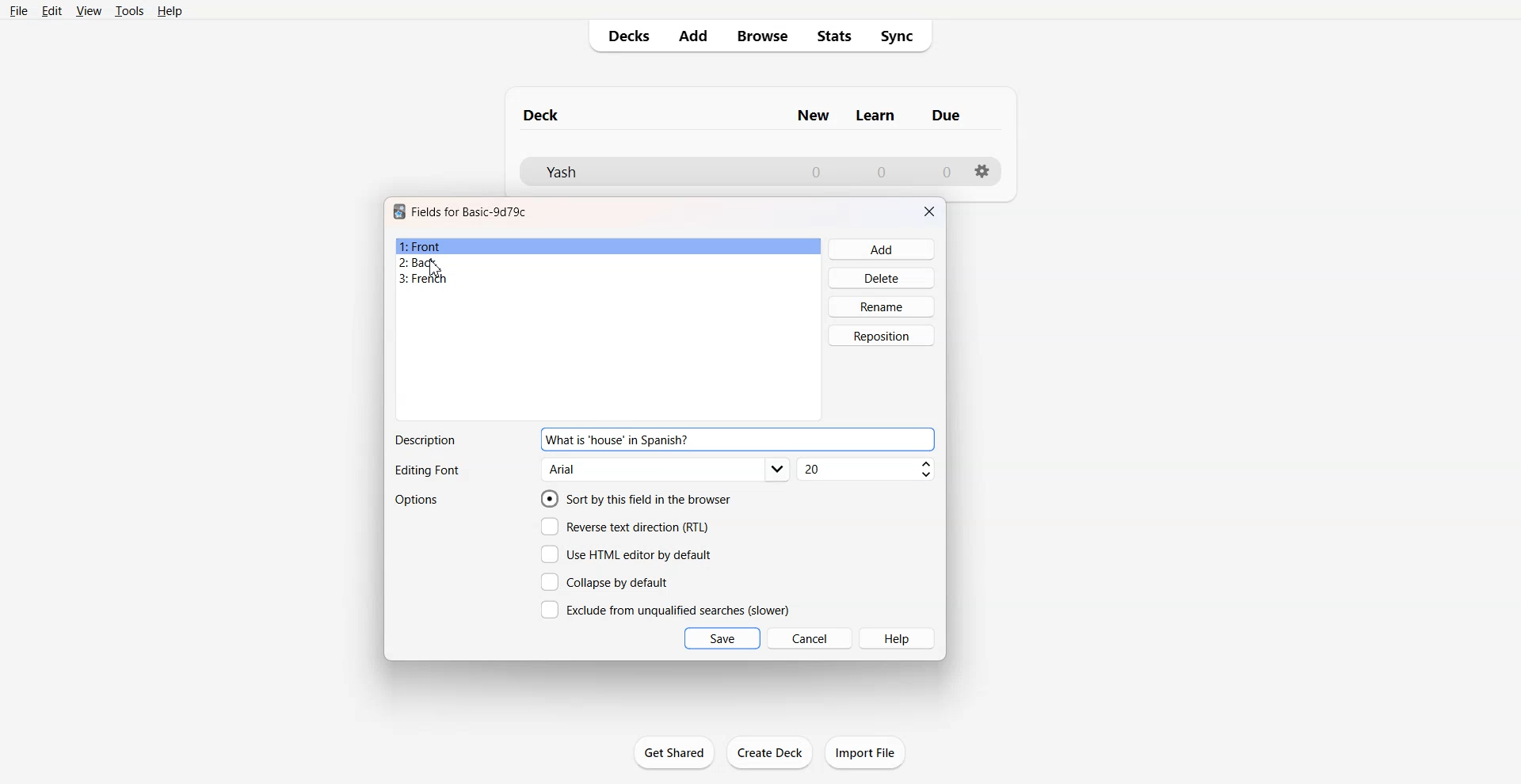  I want to click on Front, so click(608, 246).